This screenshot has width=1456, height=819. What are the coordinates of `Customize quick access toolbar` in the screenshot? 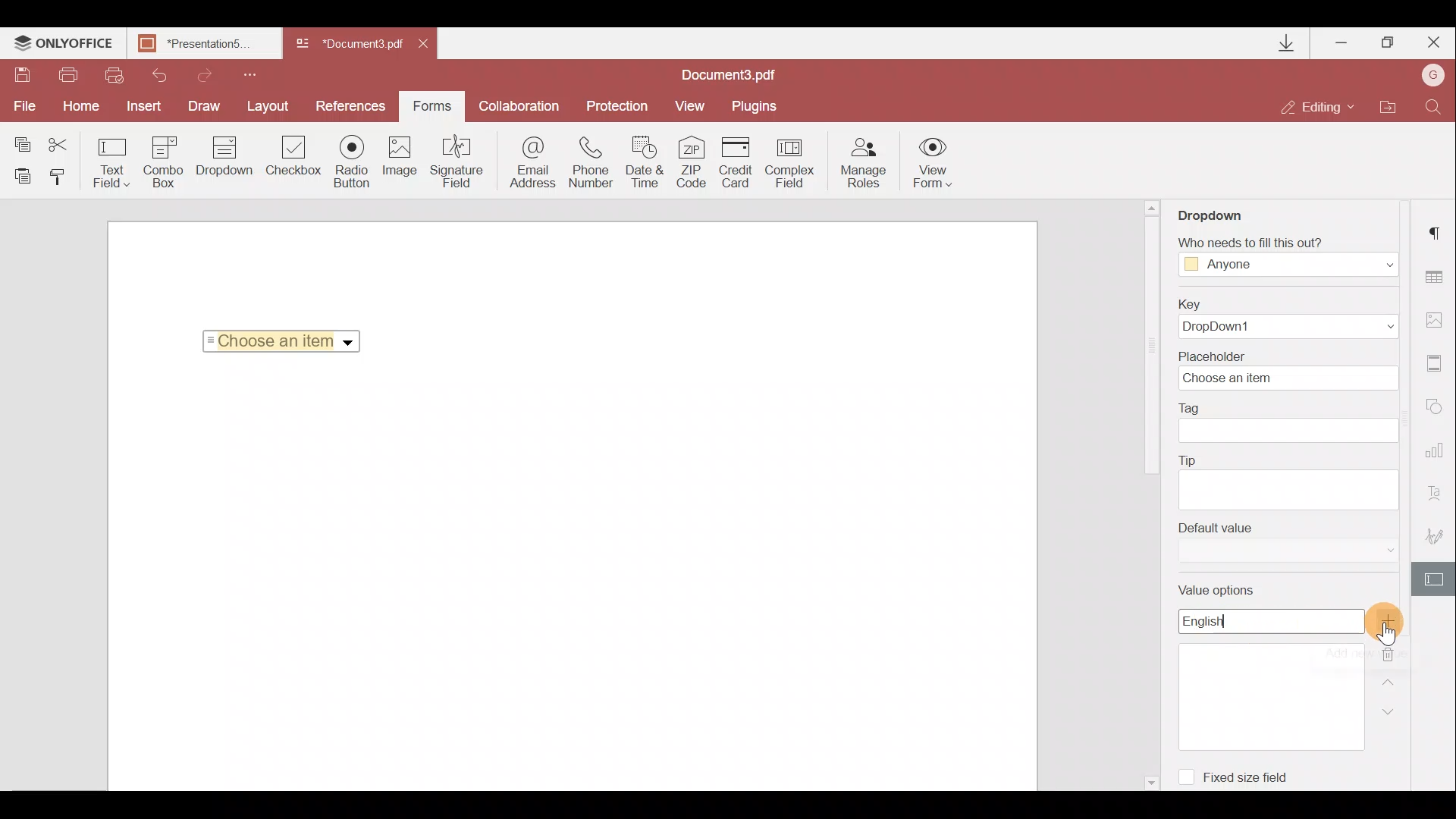 It's located at (244, 73).